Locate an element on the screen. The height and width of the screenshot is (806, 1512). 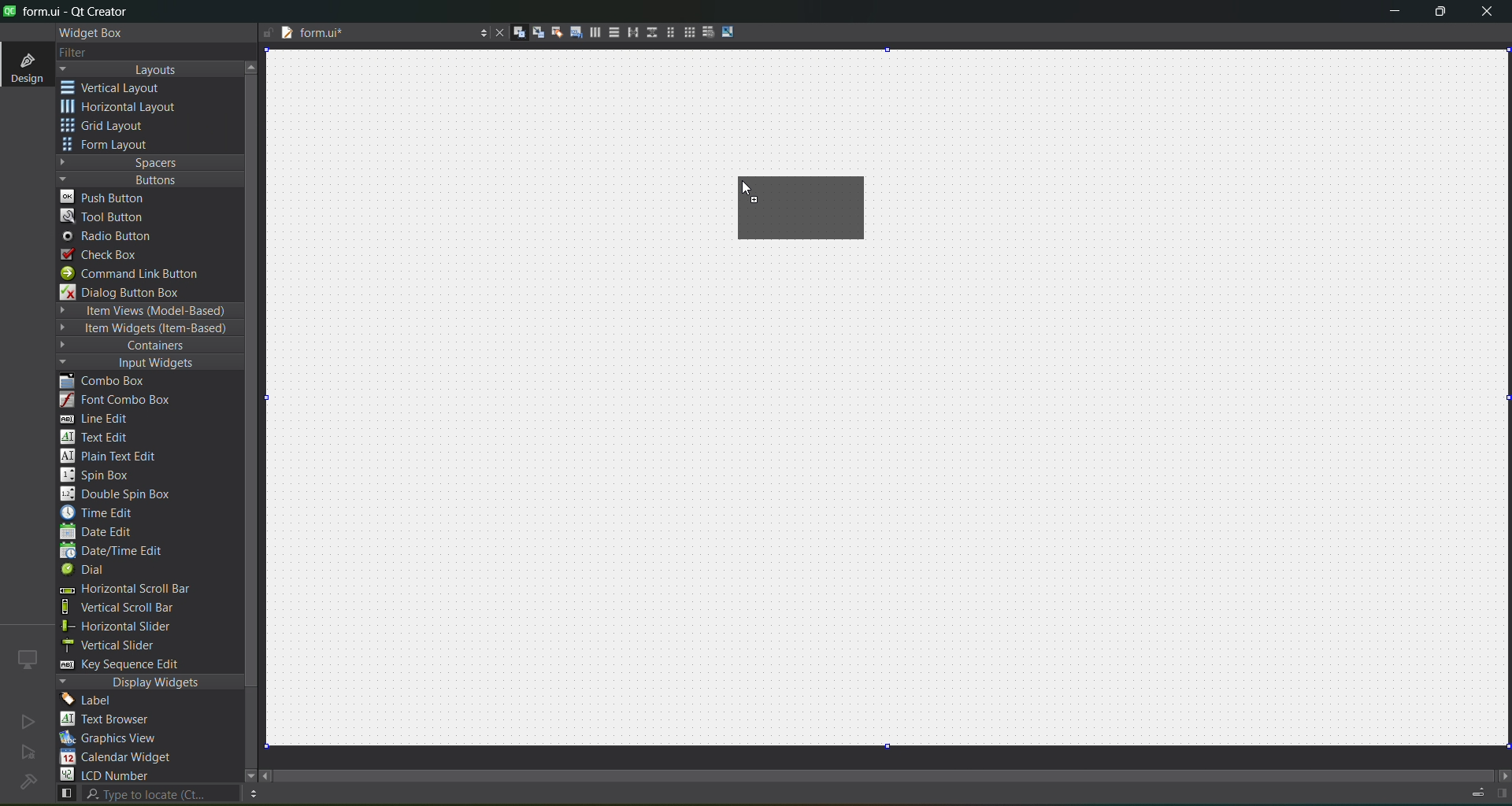
spaces is located at coordinates (150, 162).